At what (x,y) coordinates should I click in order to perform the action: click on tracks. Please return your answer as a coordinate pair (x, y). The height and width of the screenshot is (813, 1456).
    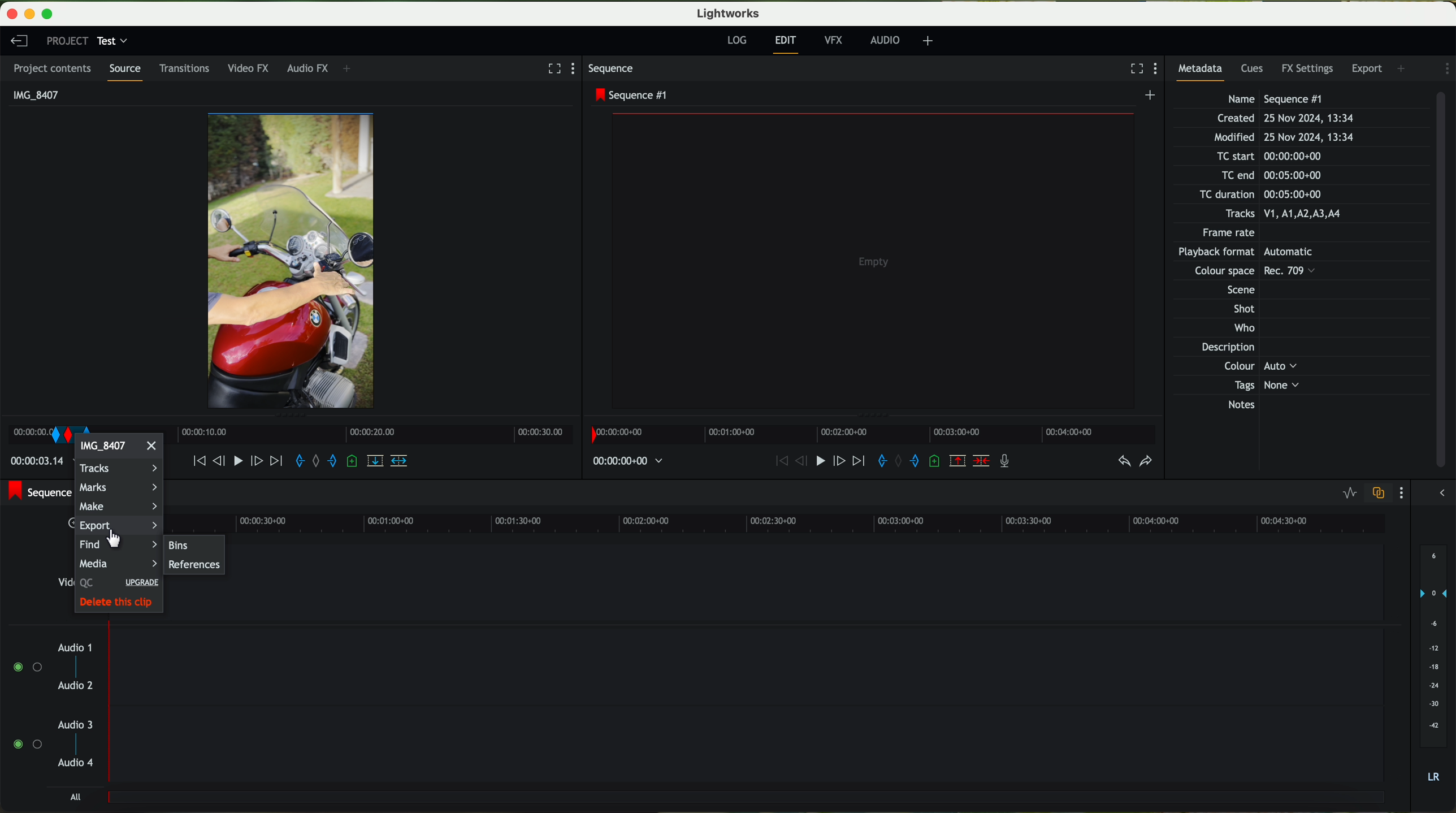
    Looking at the image, I should click on (117, 469).